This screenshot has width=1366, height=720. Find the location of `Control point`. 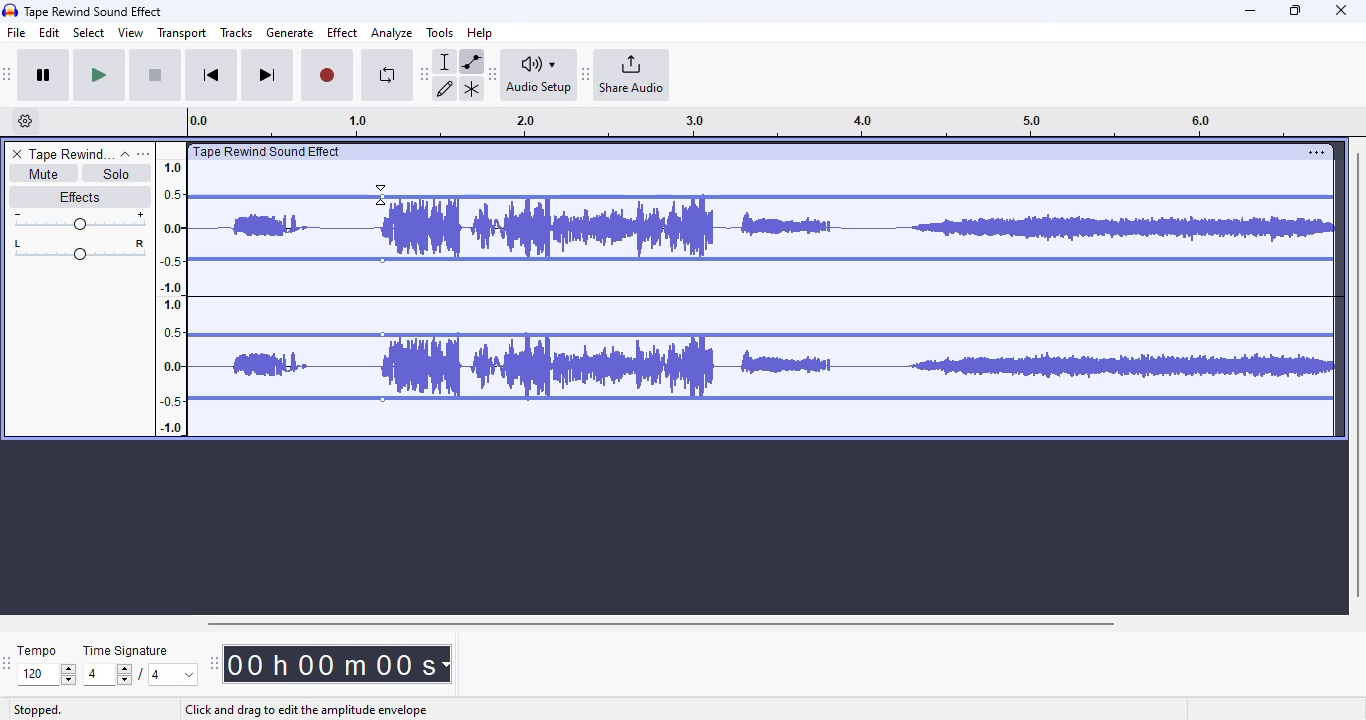

Control point is located at coordinates (382, 260).